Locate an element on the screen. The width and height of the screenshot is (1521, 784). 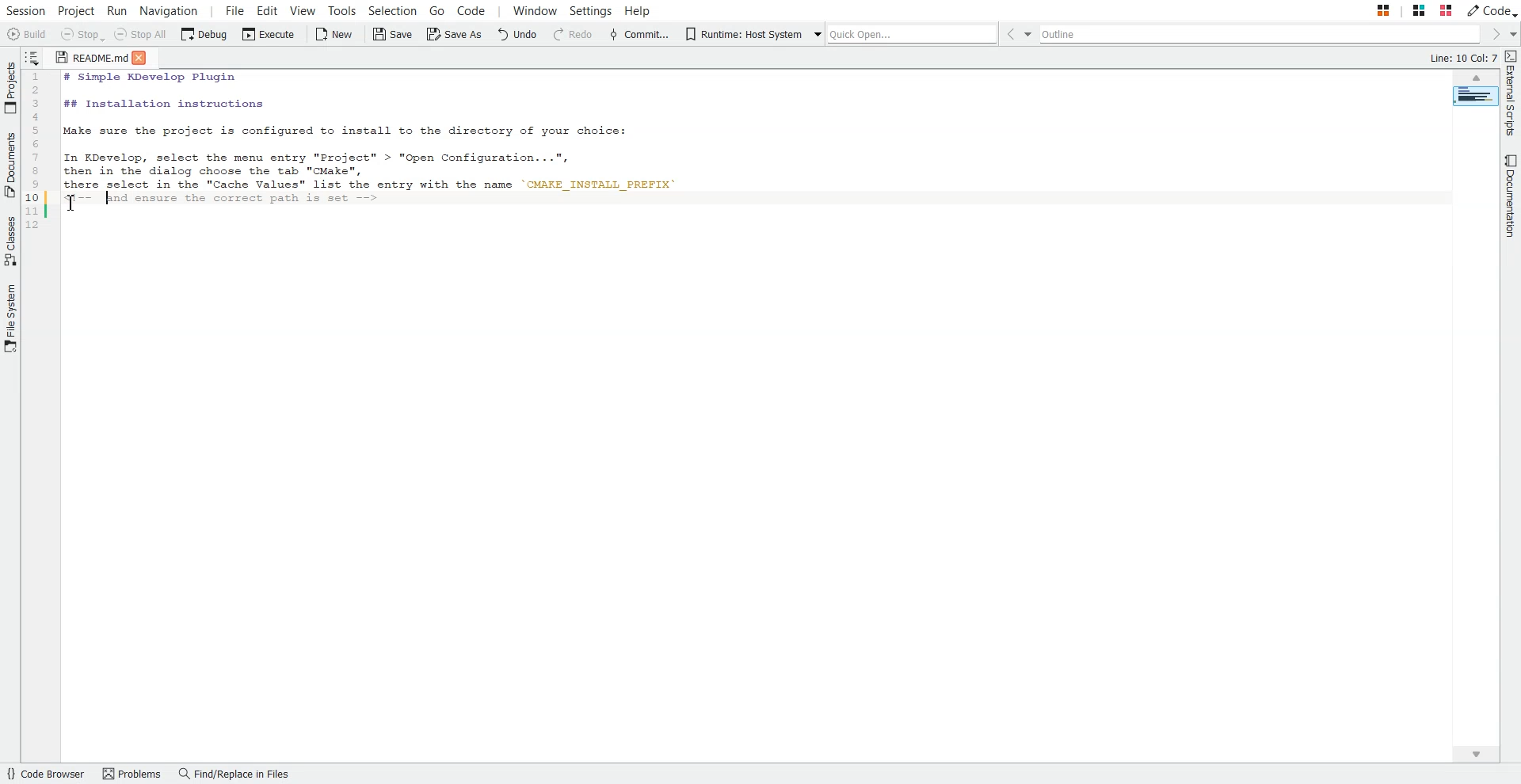
Scroll down is located at coordinates (1474, 754).